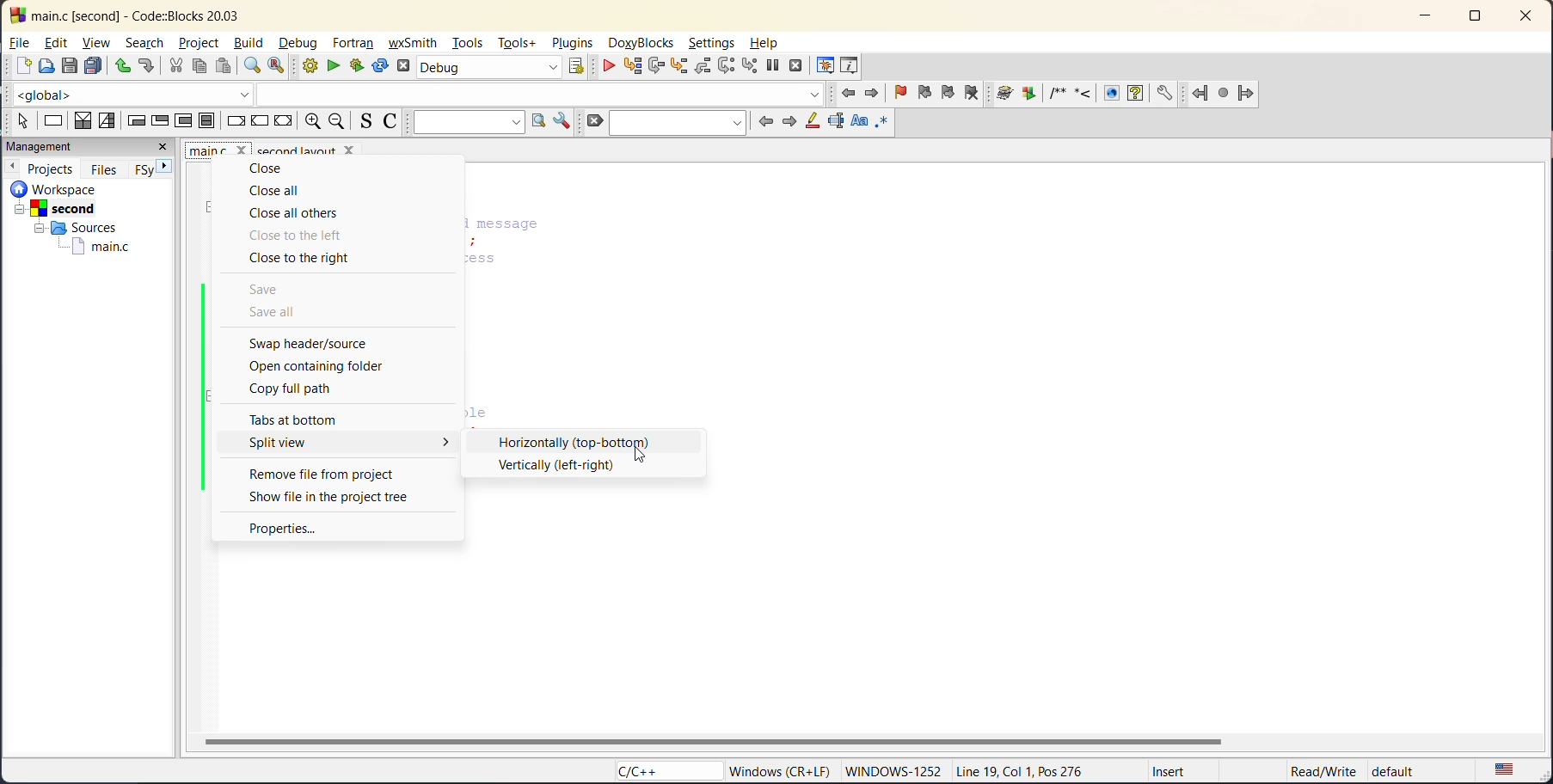 This screenshot has height=784, width=1553. Describe the element at coordinates (468, 43) in the screenshot. I see `tools` at that location.